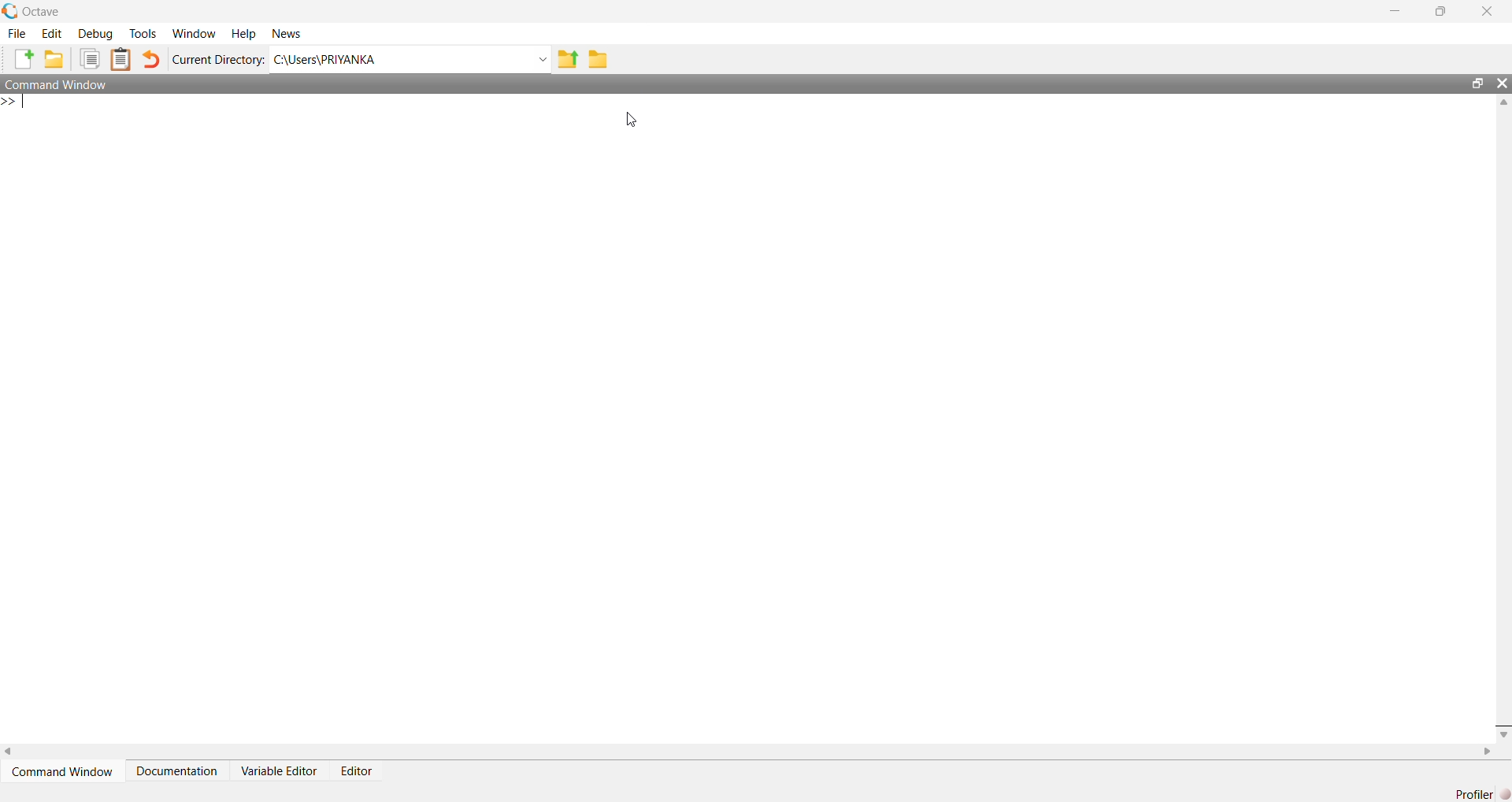 The width and height of the screenshot is (1512, 802). What do you see at coordinates (1440, 13) in the screenshot?
I see `Maximize` at bounding box center [1440, 13].